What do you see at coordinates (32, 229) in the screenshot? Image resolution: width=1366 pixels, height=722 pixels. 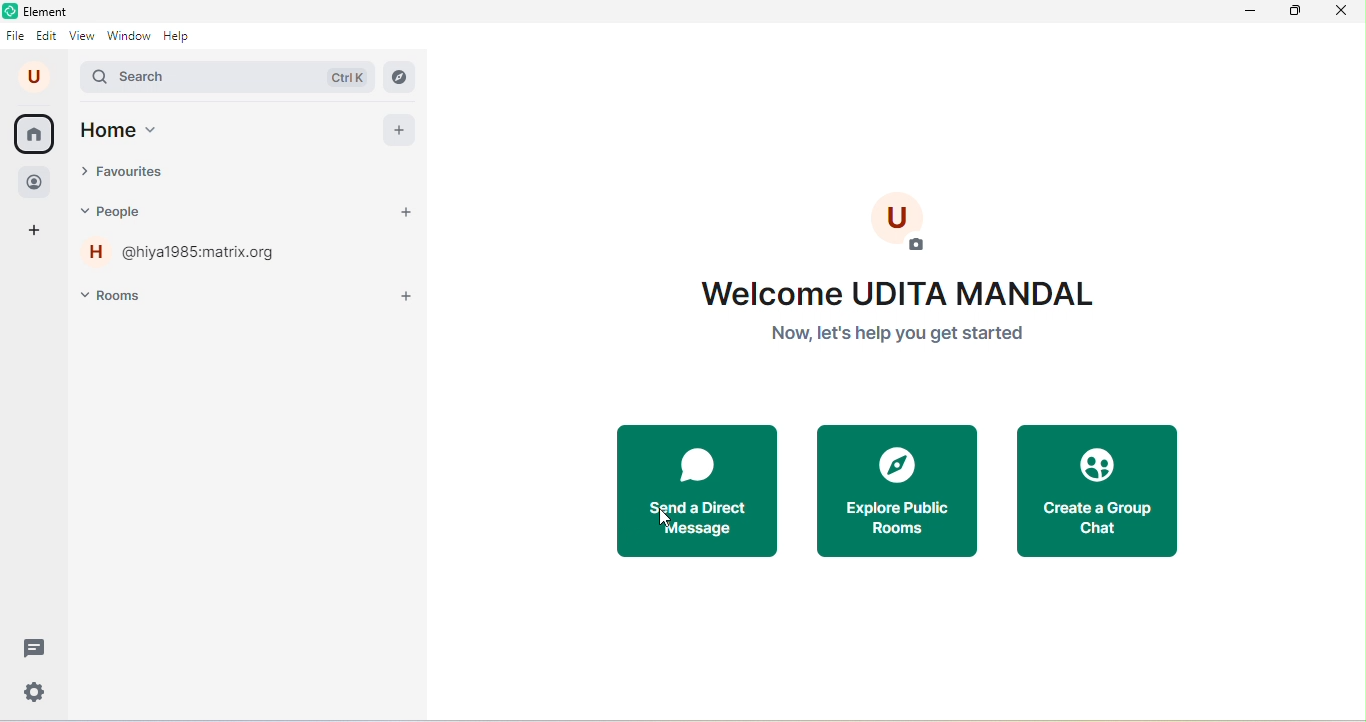 I see `add space` at bounding box center [32, 229].